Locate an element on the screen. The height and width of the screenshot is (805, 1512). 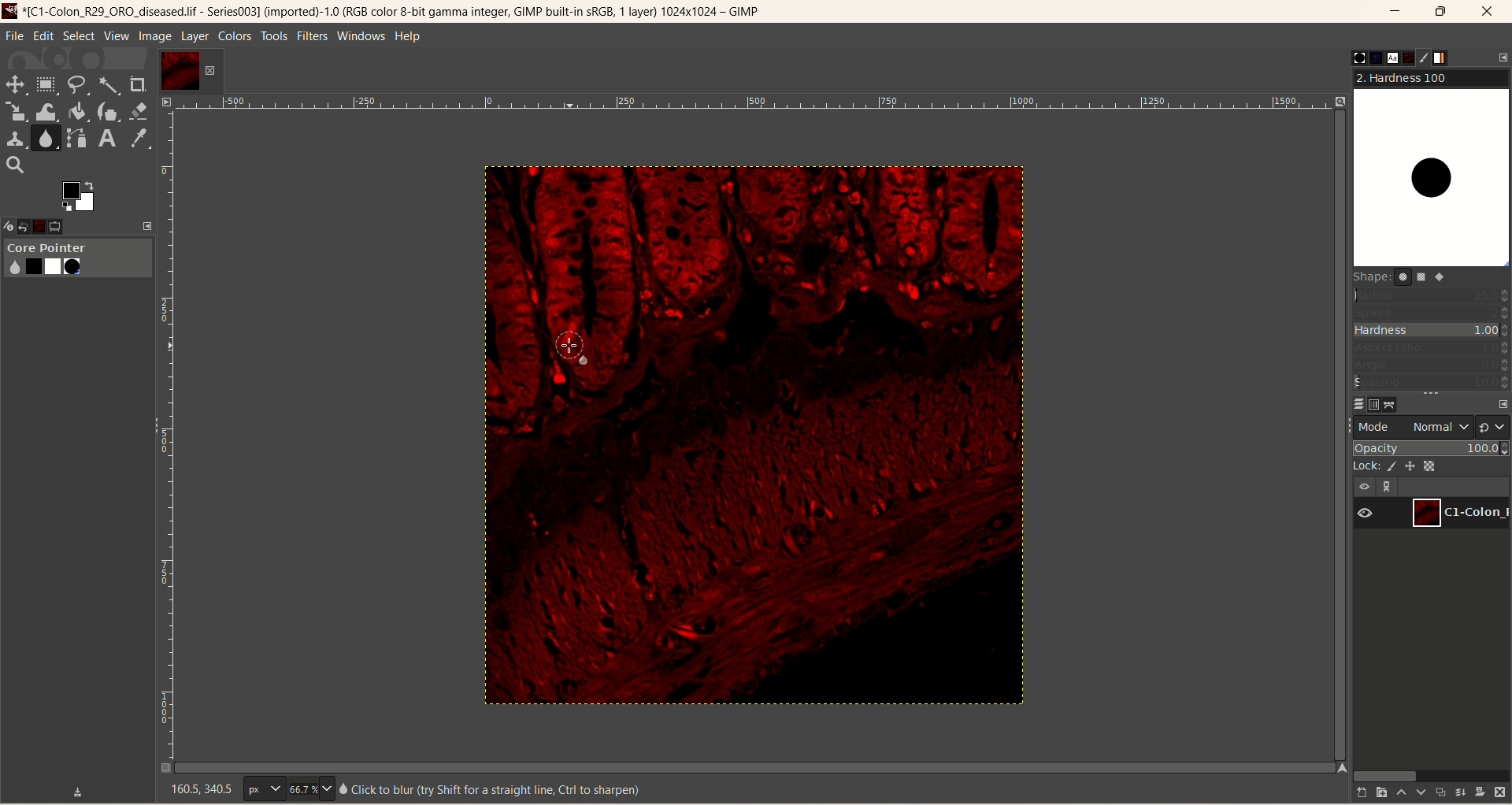
fuzzy select is located at coordinates (107, 87).